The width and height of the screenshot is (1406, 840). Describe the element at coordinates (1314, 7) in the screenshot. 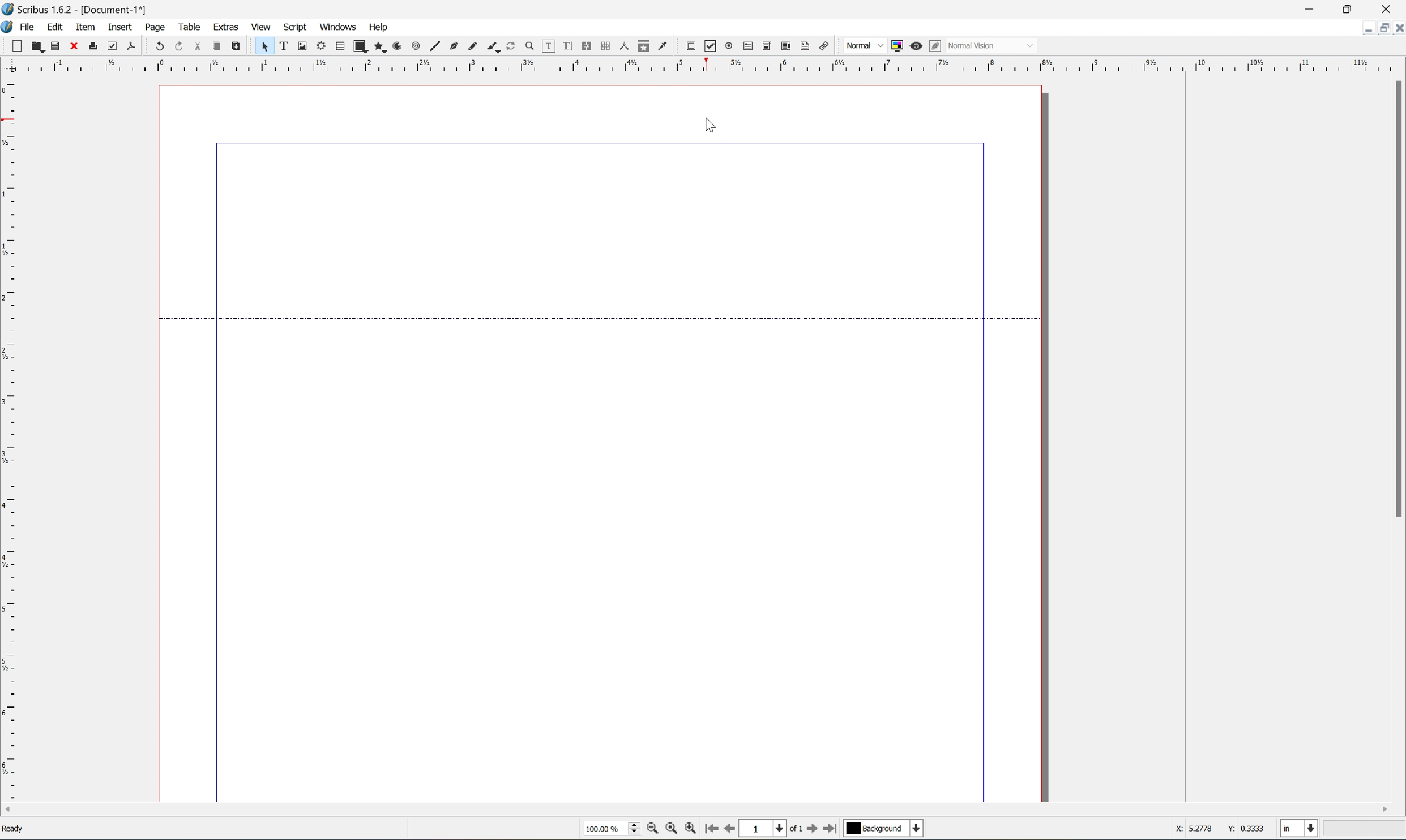

I see `minimize` at that location.